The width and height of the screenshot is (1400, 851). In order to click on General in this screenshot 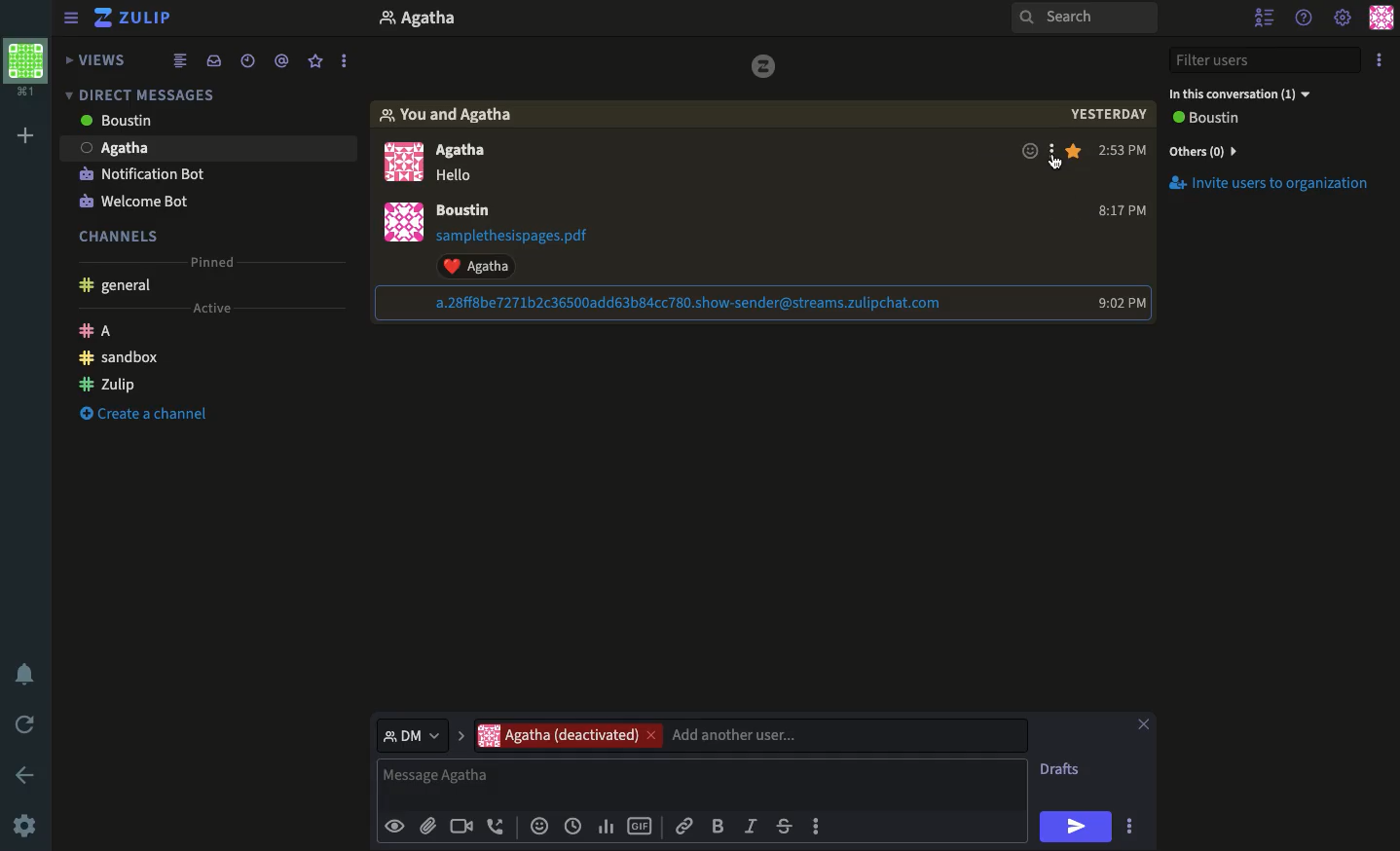, I will do `click(119, 287)`.